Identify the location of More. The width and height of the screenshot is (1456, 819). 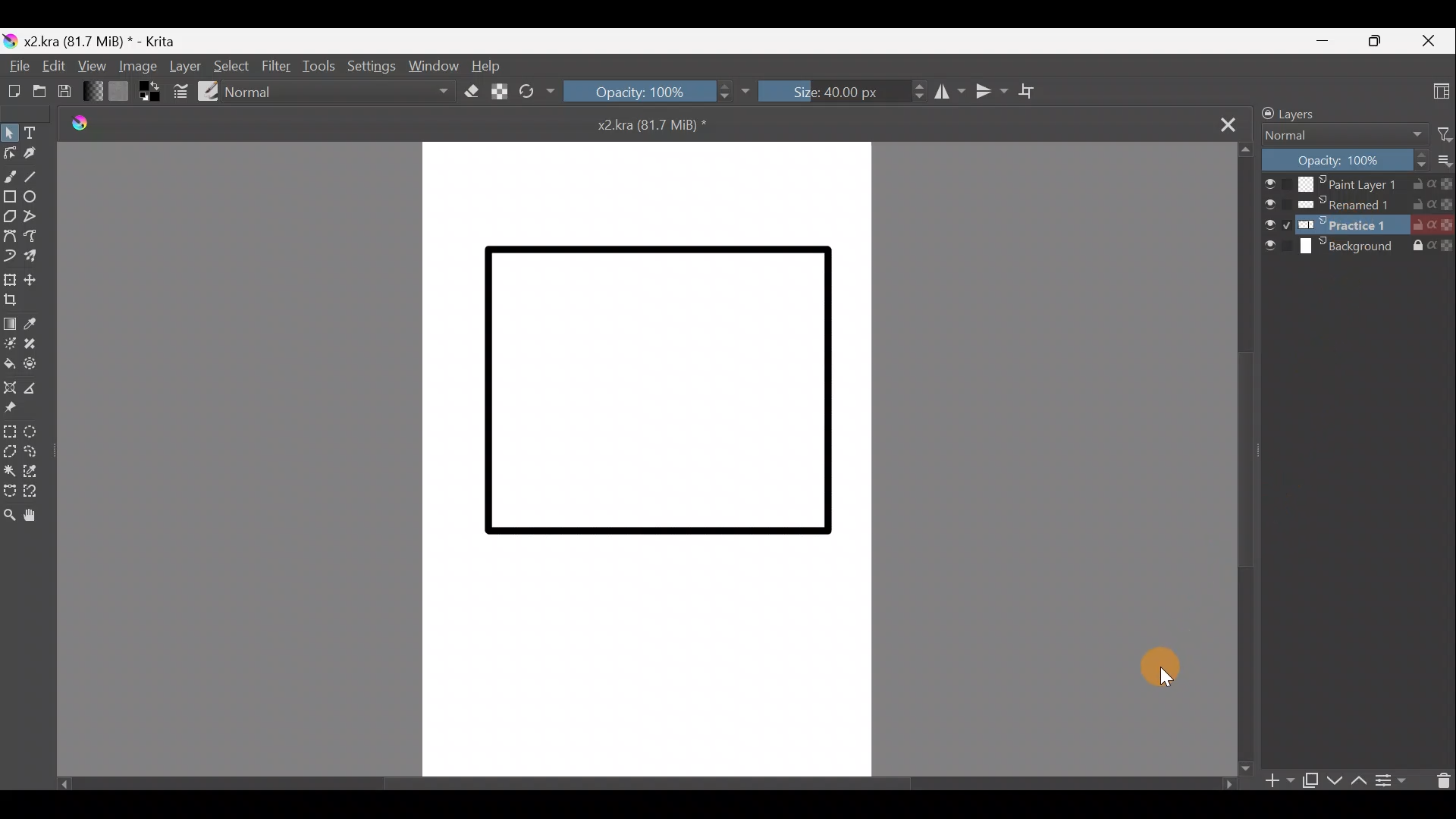
(1444, 161).